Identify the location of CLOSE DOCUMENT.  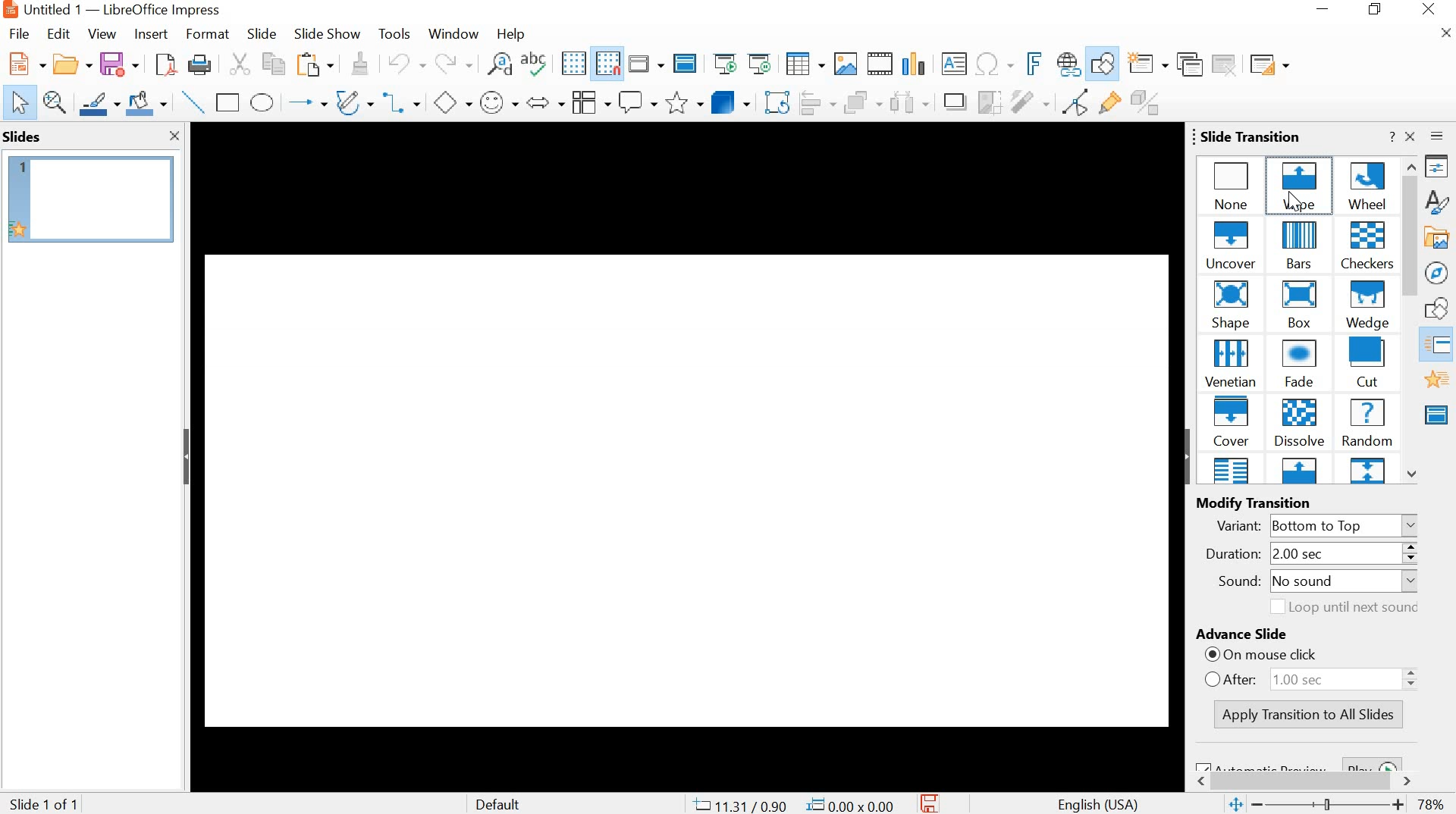
(1444, 31).